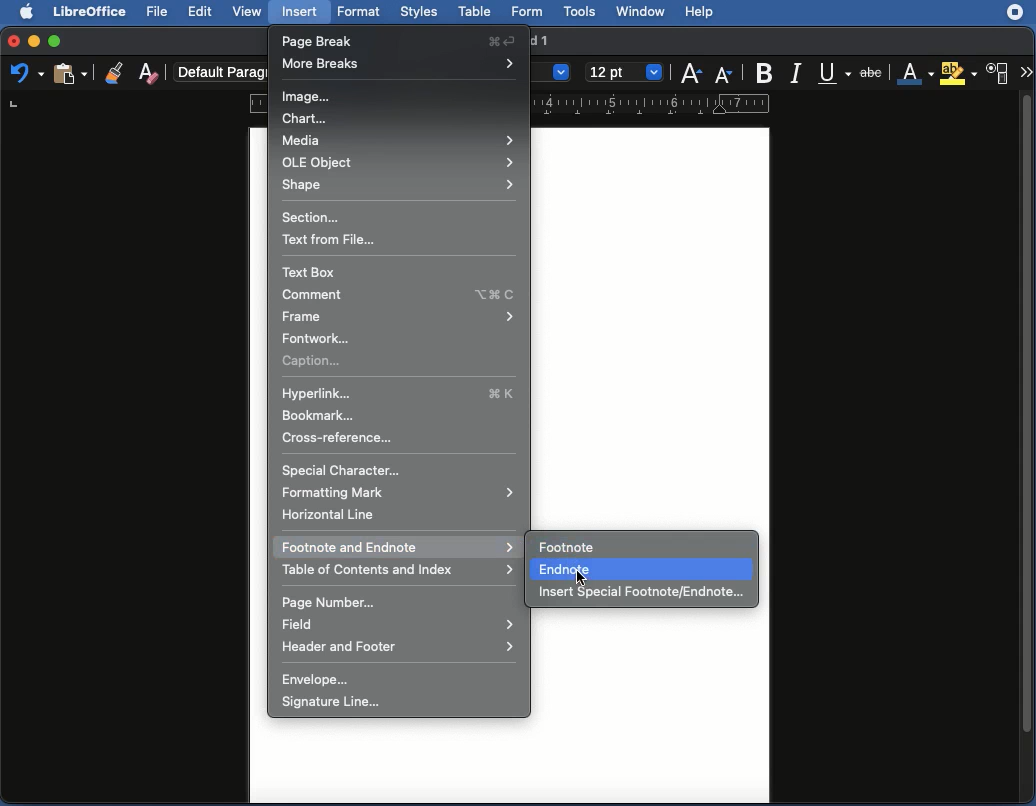 Image resolution: width=1036 pixels, height=806 pixels. Describe the element at coordinates (398, 626) in the screenshot. I see `Field` at that location.